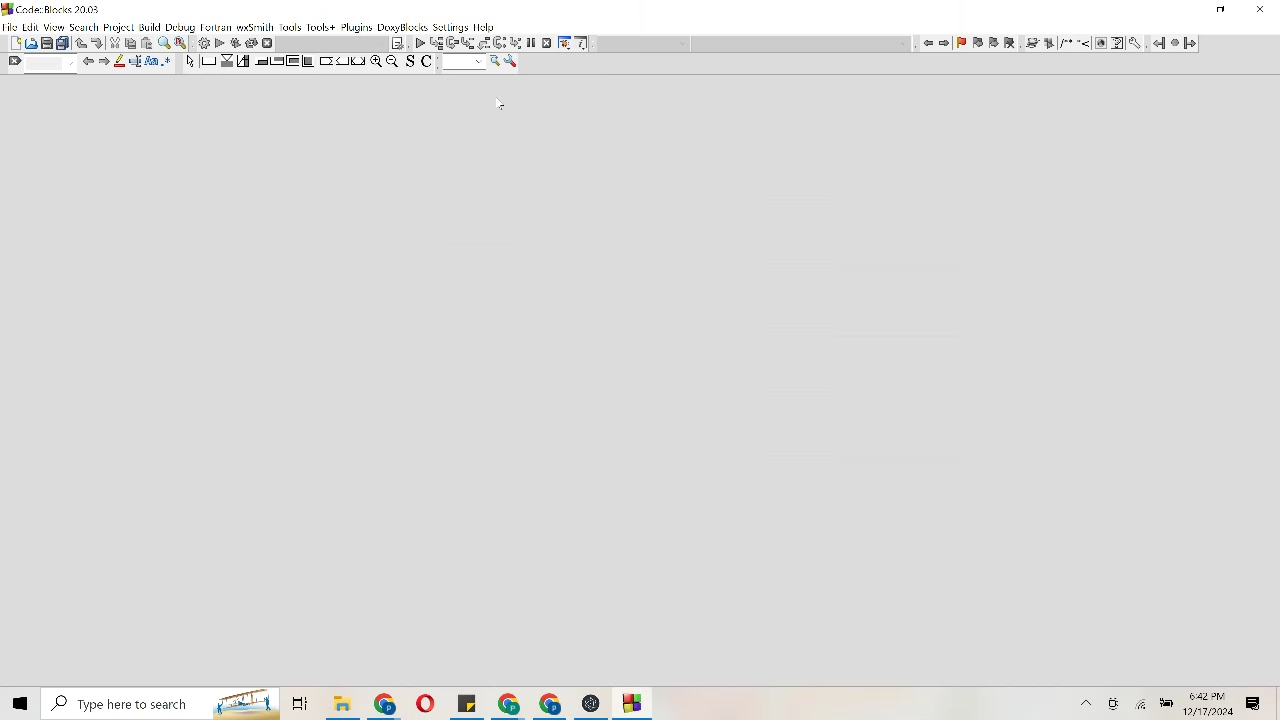  Describe the element at coordinates (551, 704) in the screenshot. I see `File` at that location.